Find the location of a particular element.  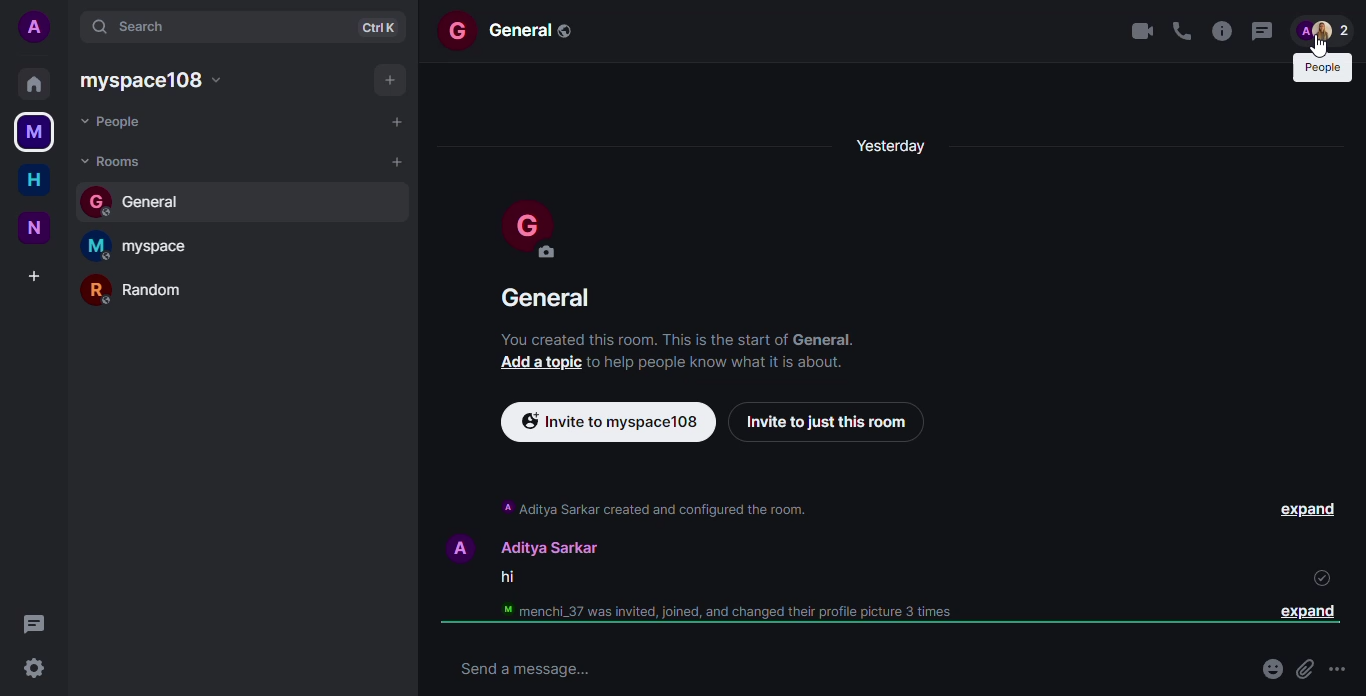

home is located at coordinates (34, 176).